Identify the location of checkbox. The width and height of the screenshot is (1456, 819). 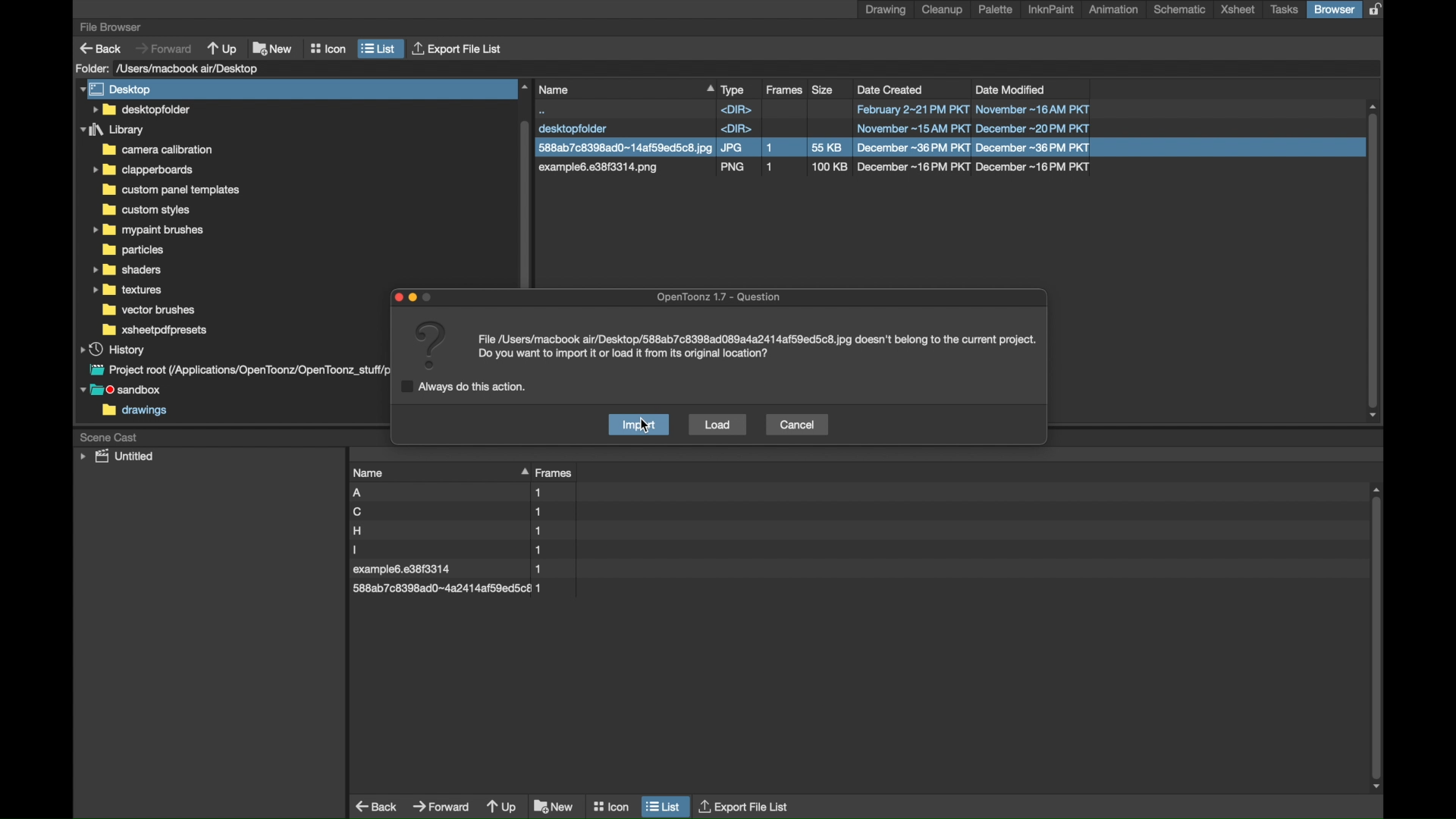
(463, 387).